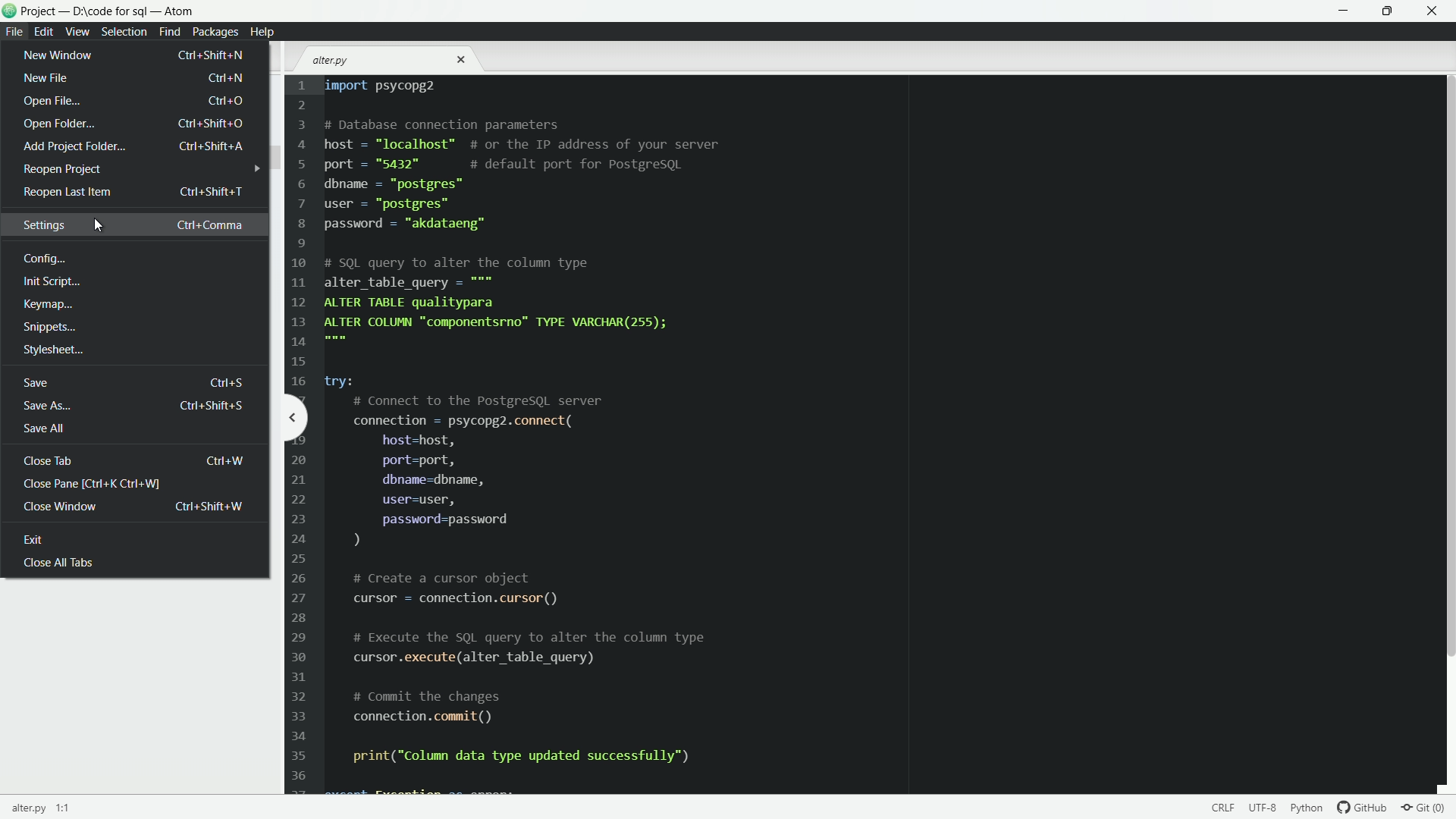  Describe the element at coordinates (133, 79) in the screenshot. I see `new file` at that location.